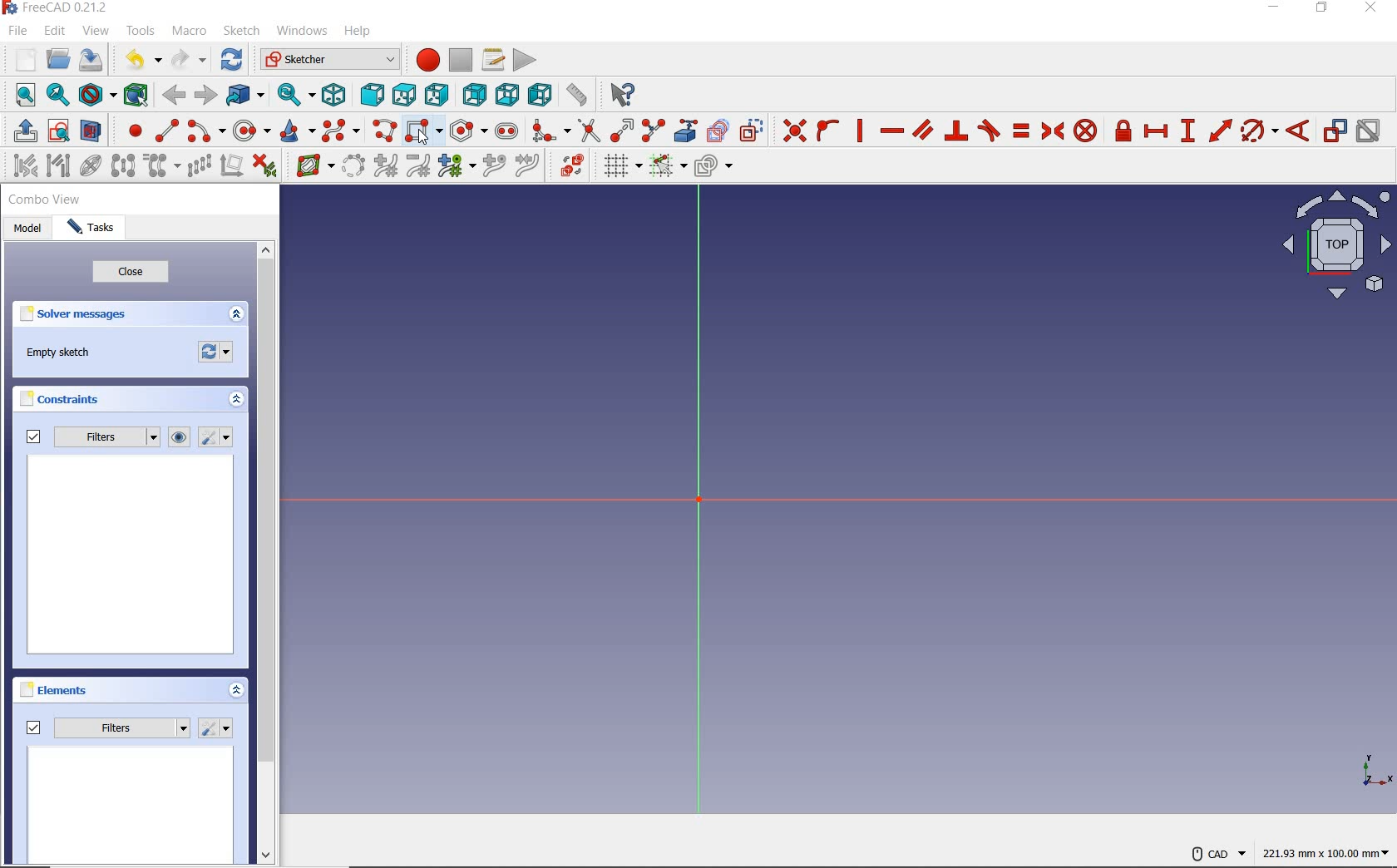 This screenshot has height=868, width=1397. I want to click on split edge, so click(653, 131).